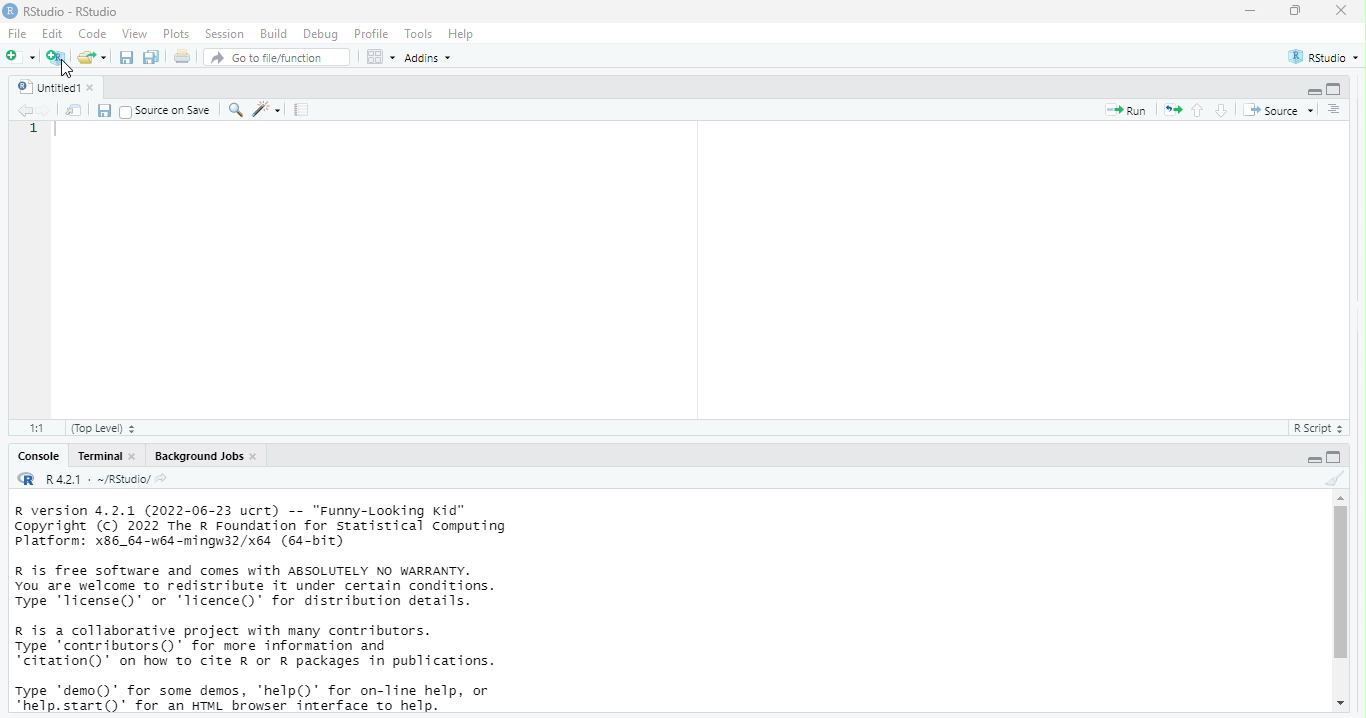 The image size is (1366, 718). Describe the element at coordinates (466, 33) in the screenshot. I see `help` at that location.